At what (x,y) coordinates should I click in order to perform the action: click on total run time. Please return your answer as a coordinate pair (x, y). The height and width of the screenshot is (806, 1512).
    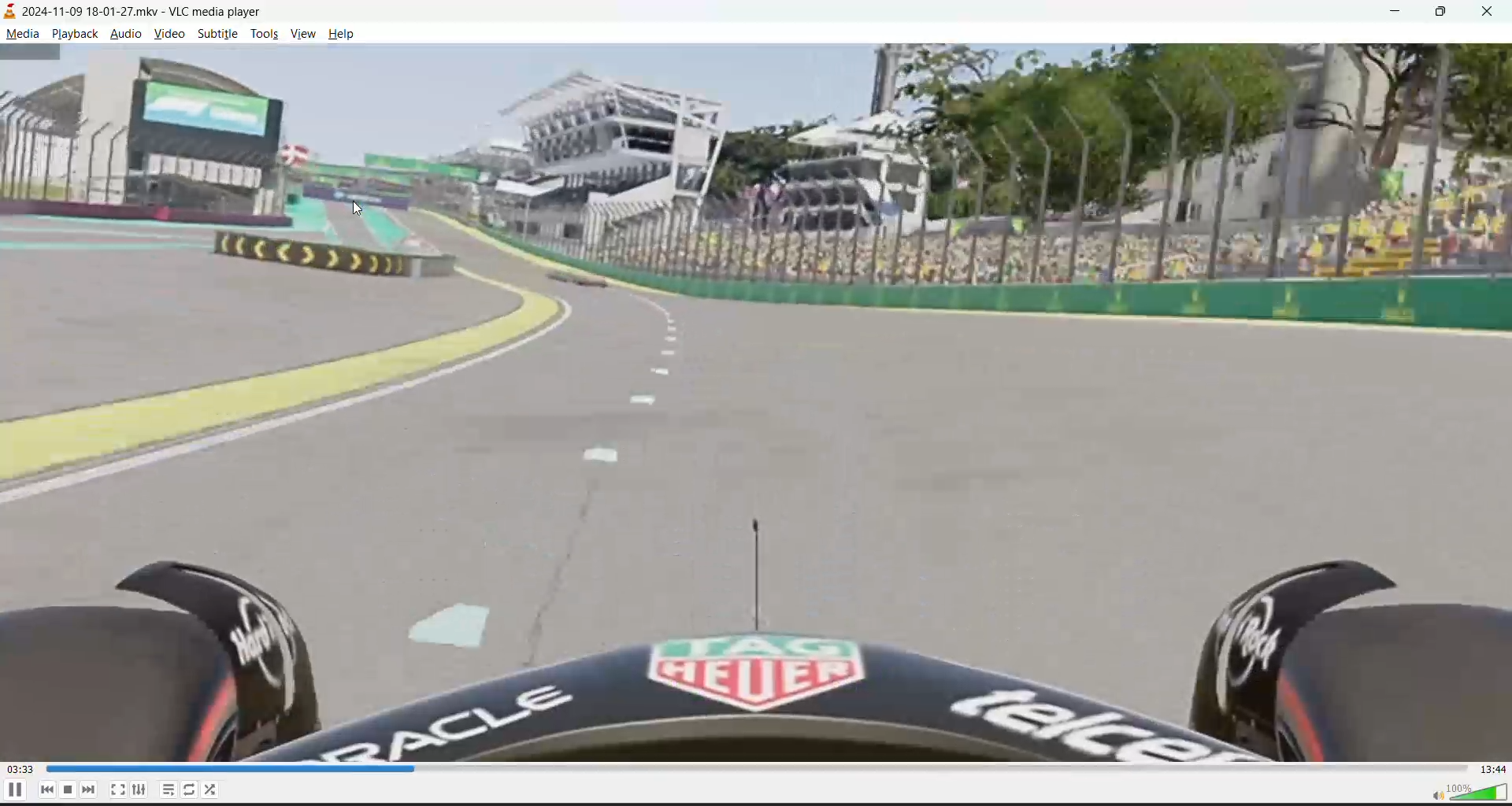
    Looking at the image, I should click on (1492, 769).